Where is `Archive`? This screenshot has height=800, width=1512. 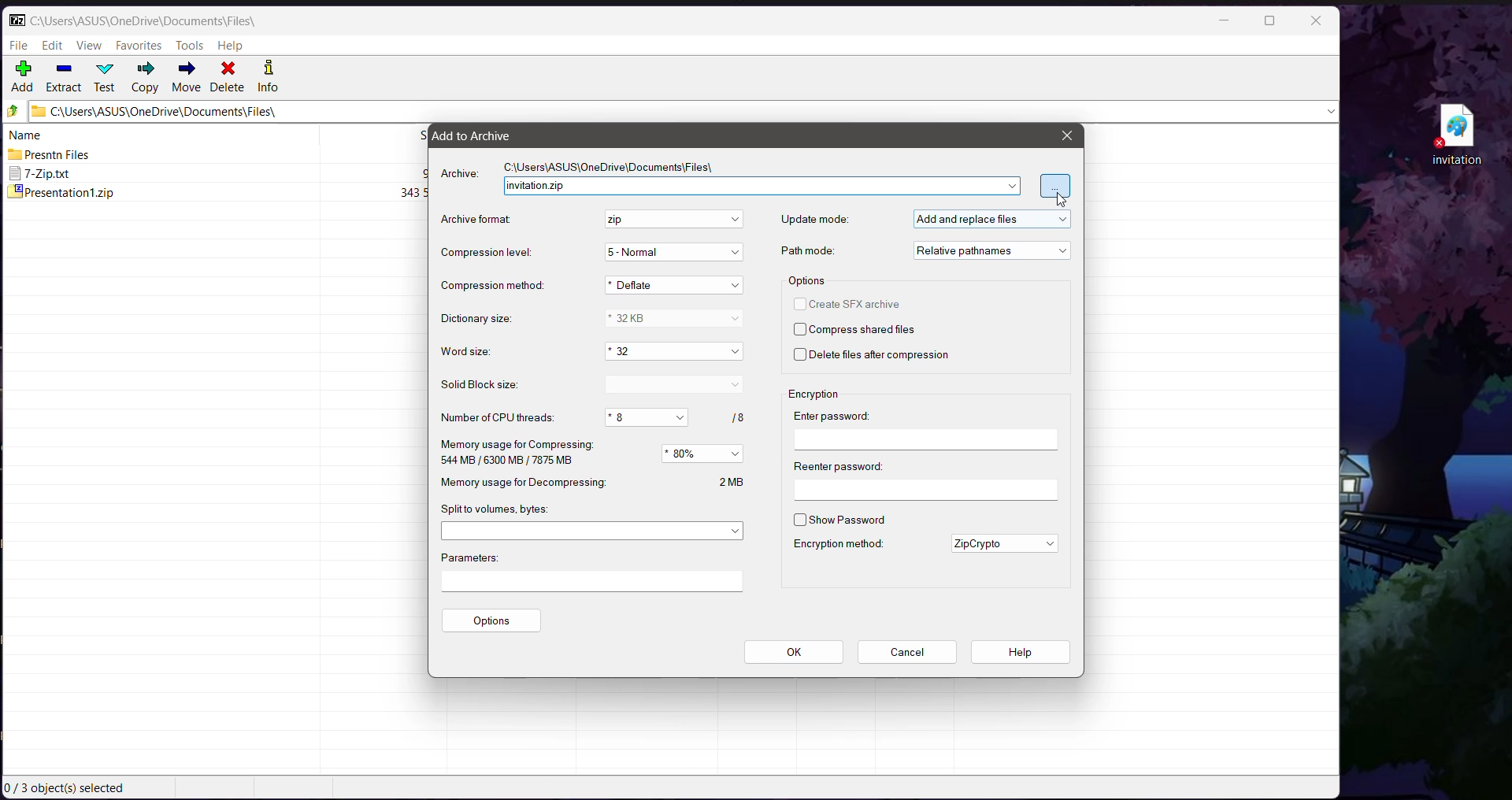 Archive is located at coordinates (460, 173).